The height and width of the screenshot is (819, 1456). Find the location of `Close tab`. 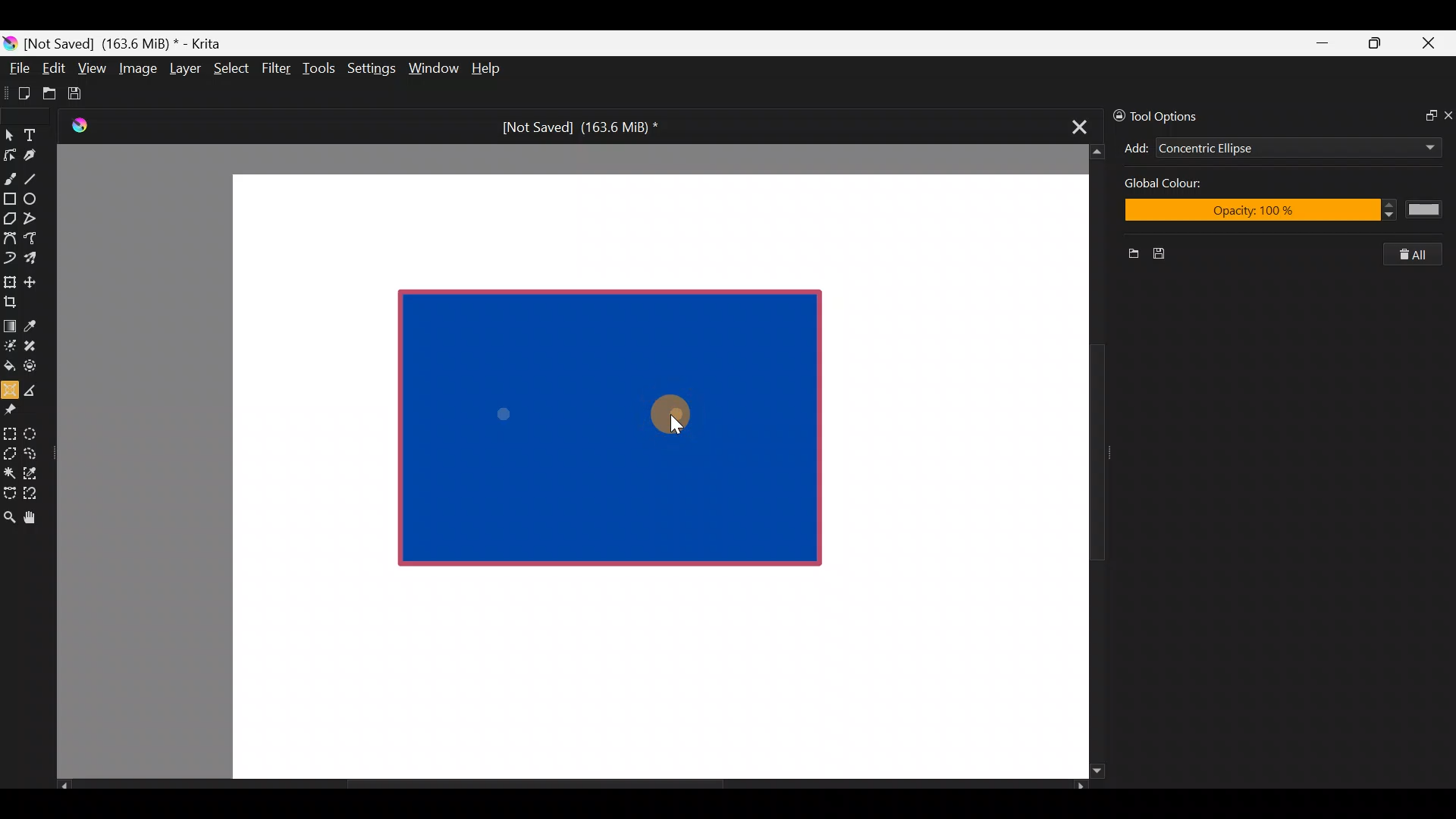

Close tab is located at coordinates (1075, 124).